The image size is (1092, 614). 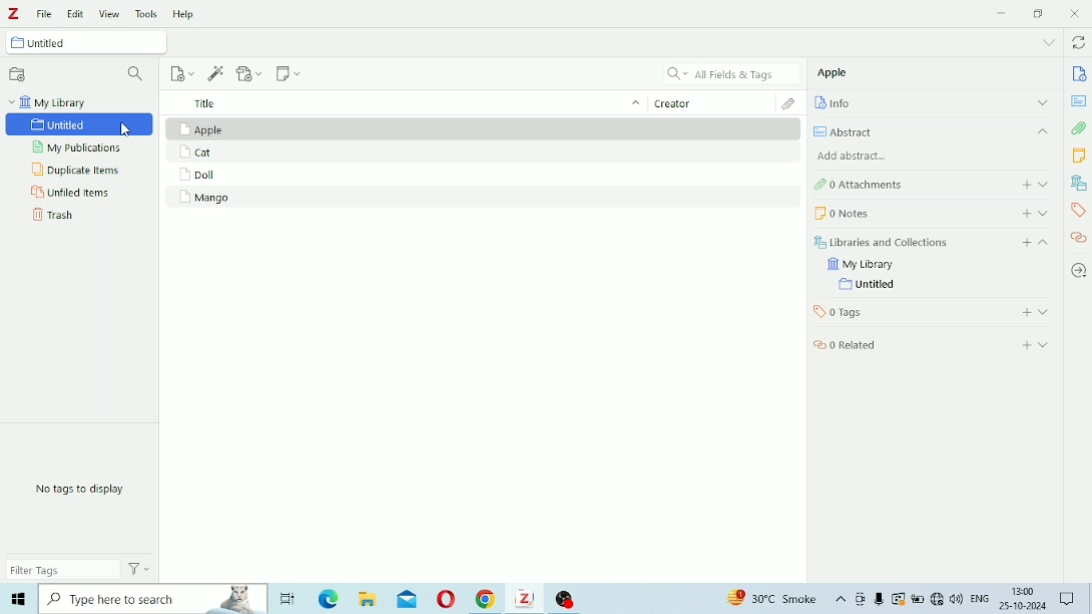 What do you see at coordinates (1022, 598) in the screenshot?
I see `` at bounding box center [1022, 598].